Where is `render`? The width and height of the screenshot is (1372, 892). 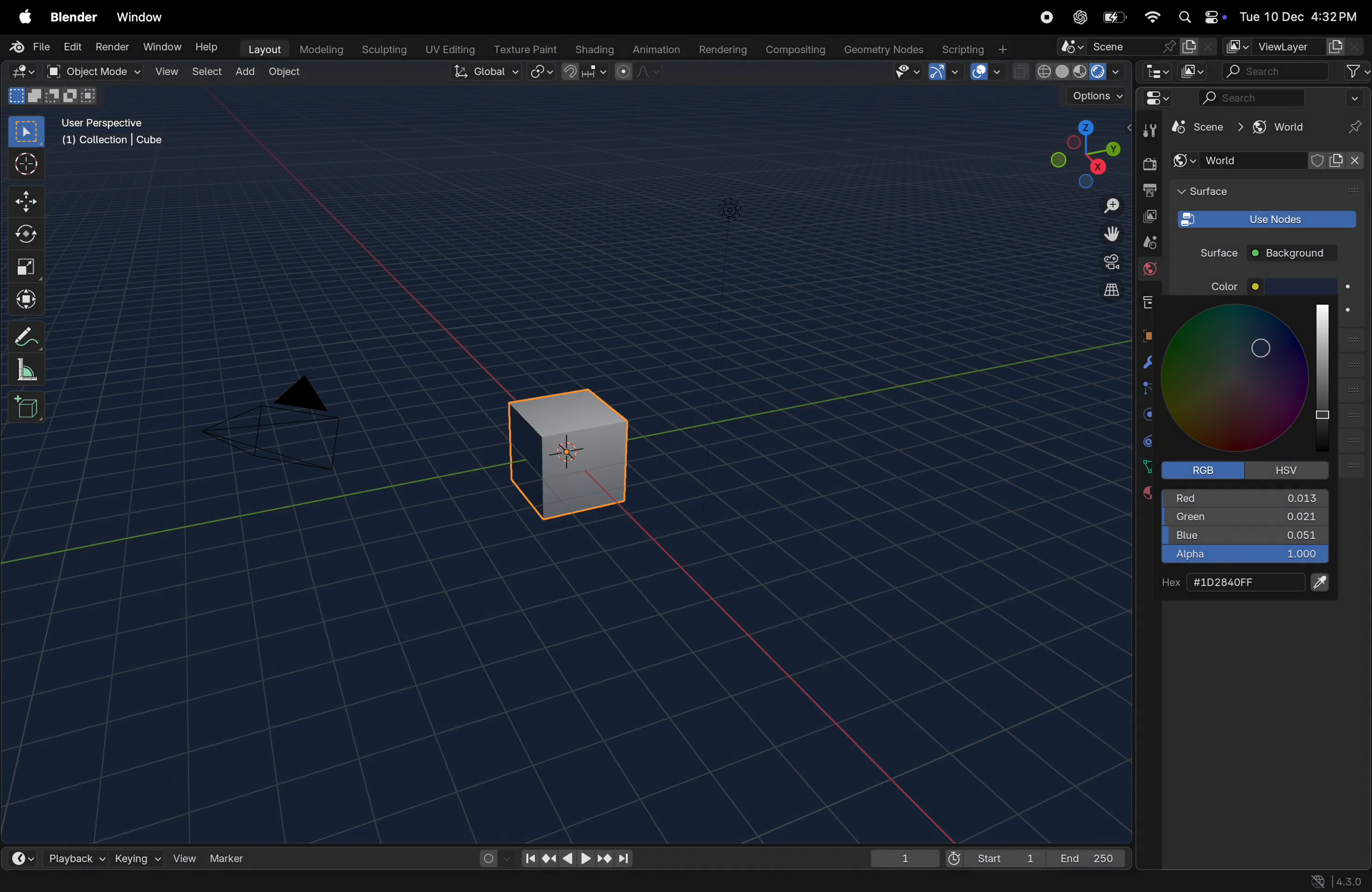
render is located at coordinates (112, 48).